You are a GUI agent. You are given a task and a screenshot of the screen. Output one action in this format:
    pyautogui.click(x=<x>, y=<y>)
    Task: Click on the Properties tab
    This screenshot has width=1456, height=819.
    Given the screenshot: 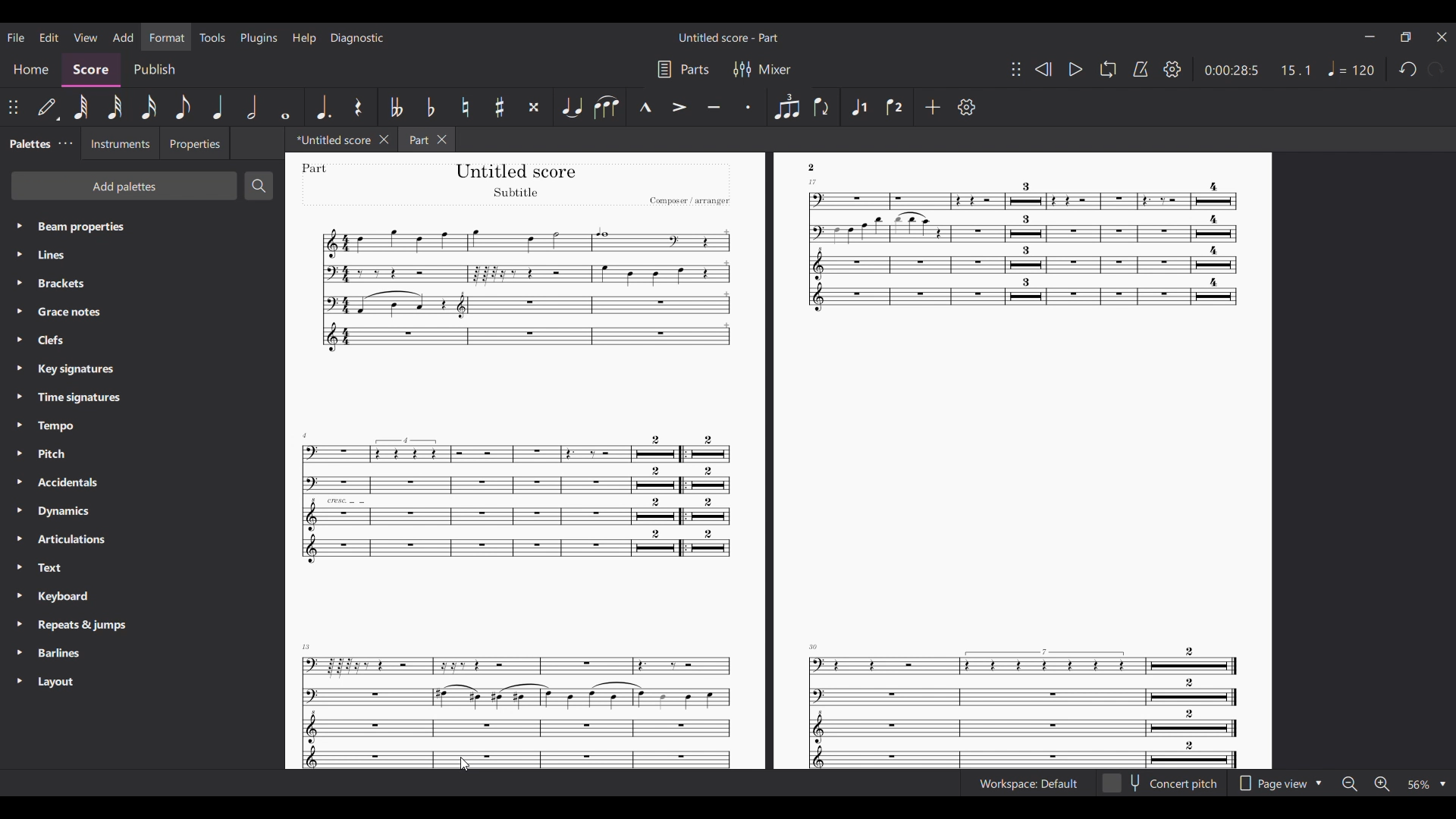 What is the action you would take?
    pyautogui.click(x=196, y=143)
    